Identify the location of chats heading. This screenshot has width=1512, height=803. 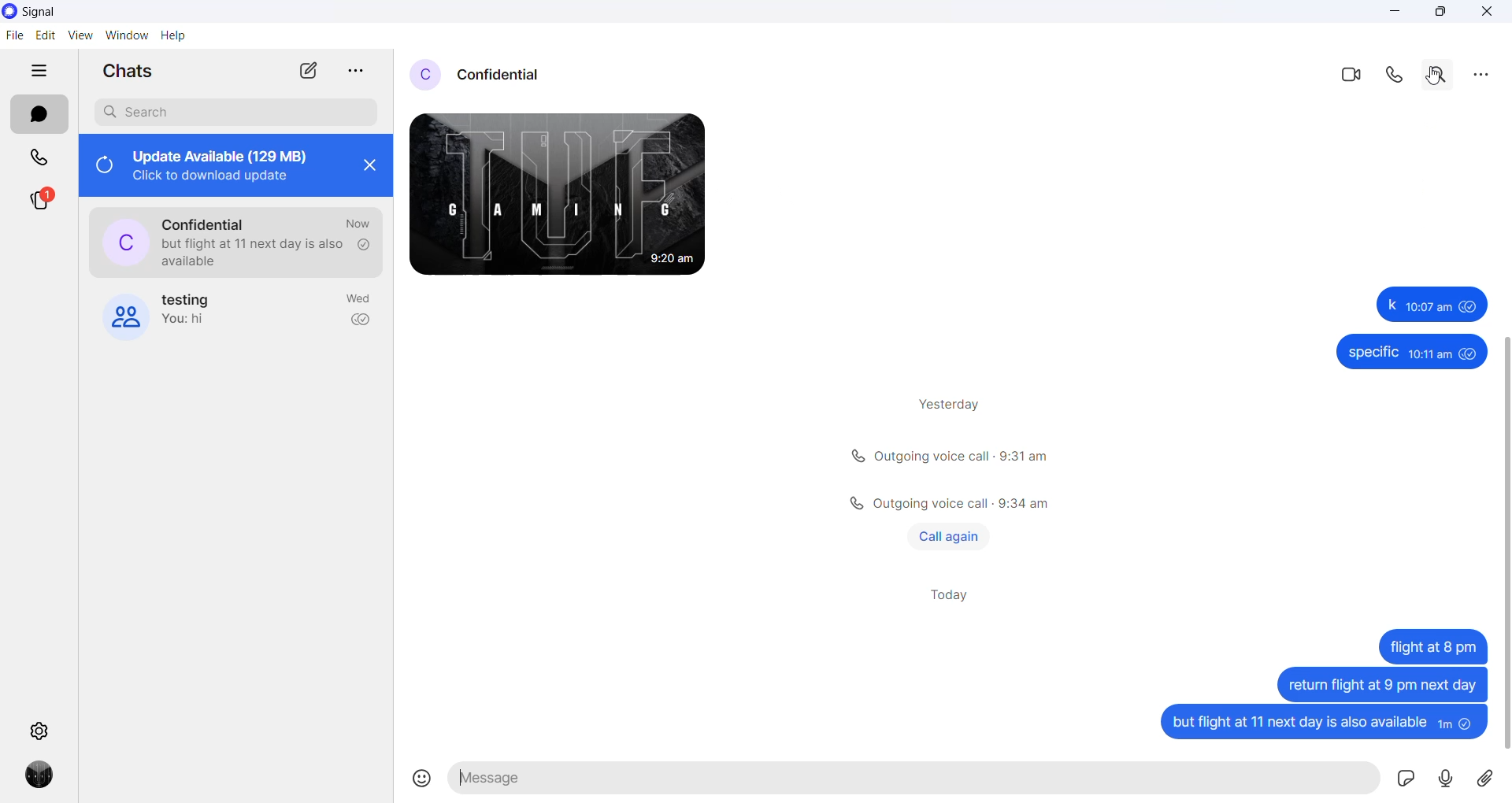
(130, 70).